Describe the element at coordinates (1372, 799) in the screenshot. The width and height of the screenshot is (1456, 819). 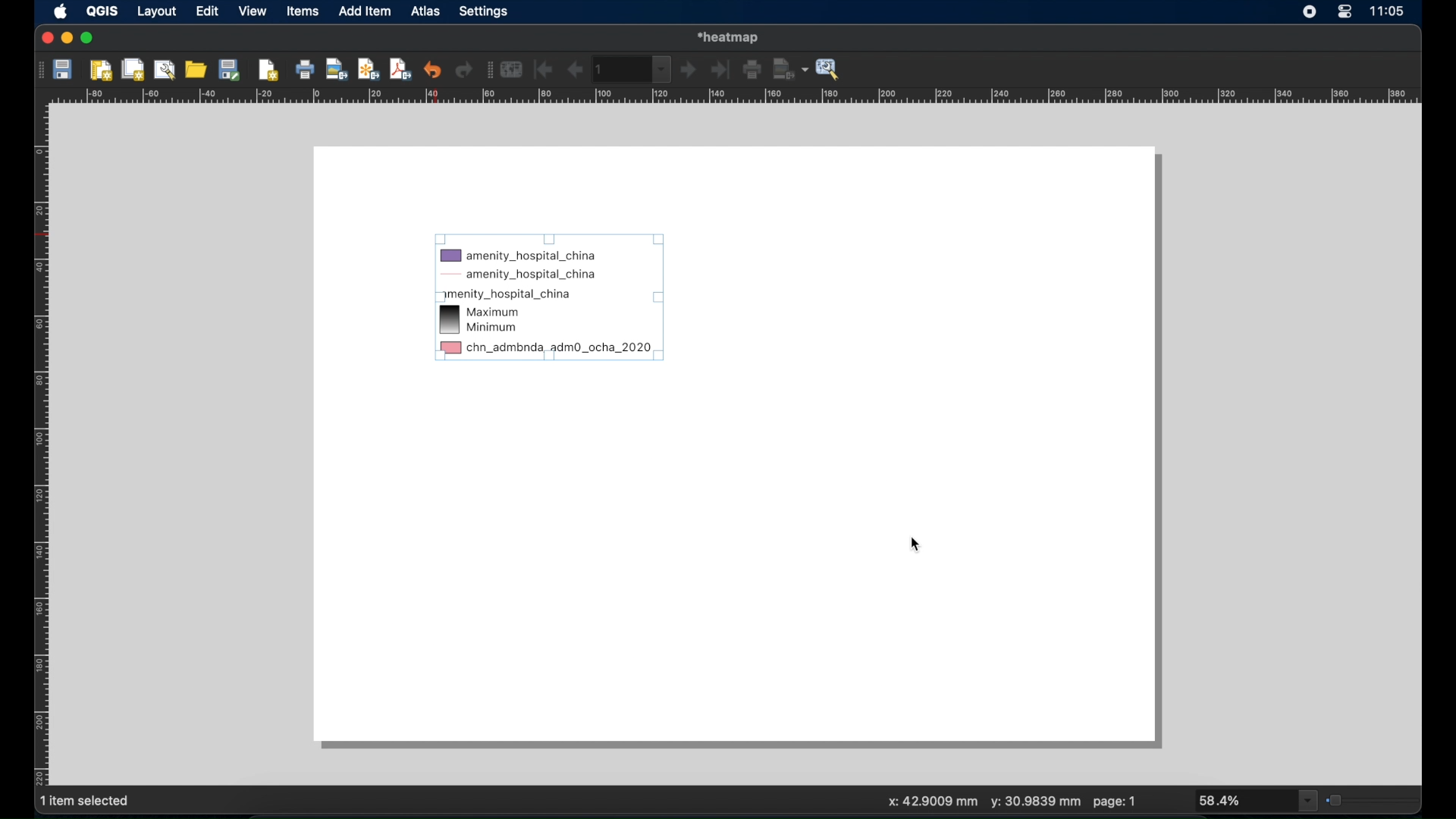
I see `zoom slider` at that location.